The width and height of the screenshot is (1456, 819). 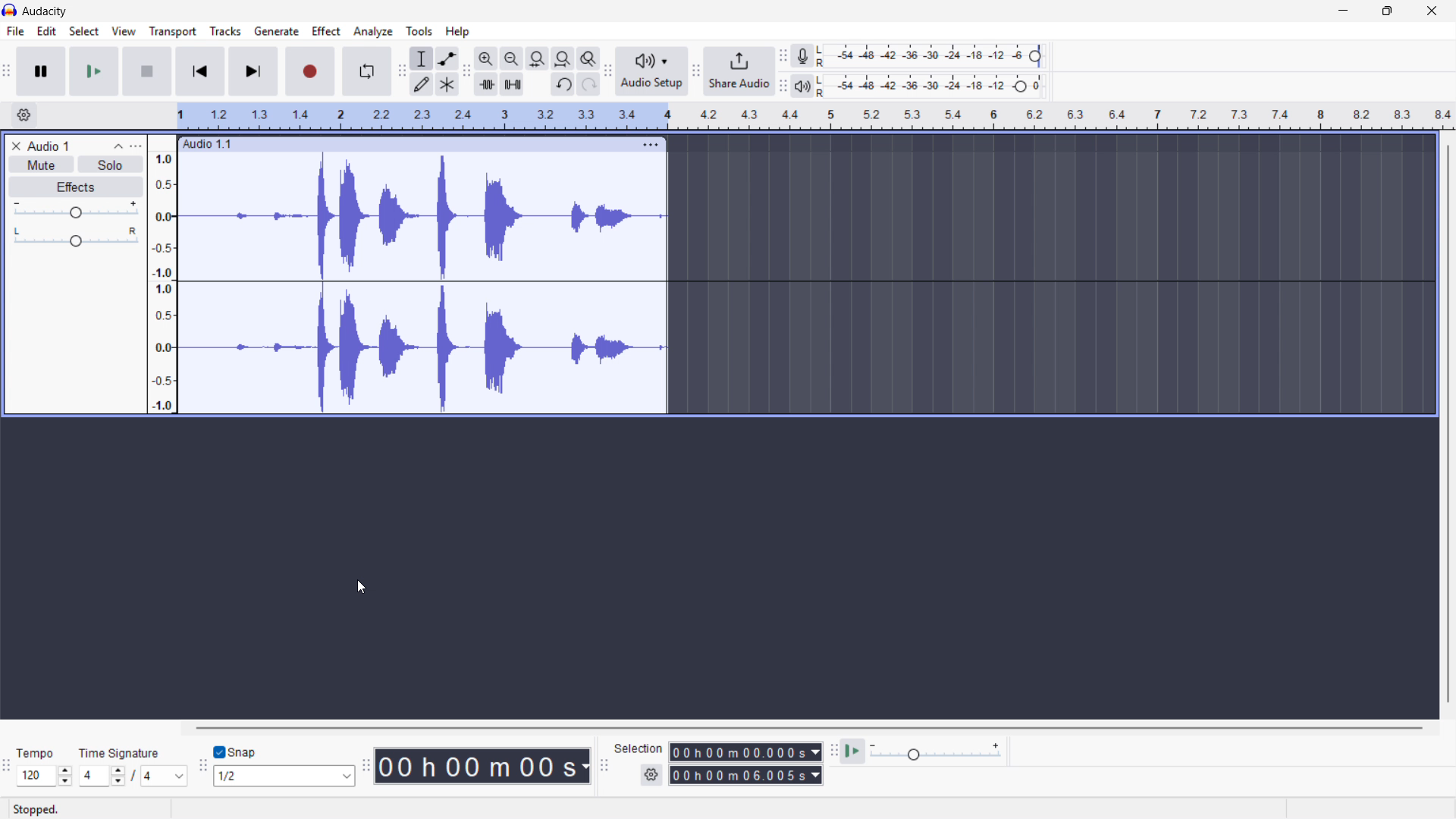 I want to click on Trim audio outside selection, so click(x=486, y=83).